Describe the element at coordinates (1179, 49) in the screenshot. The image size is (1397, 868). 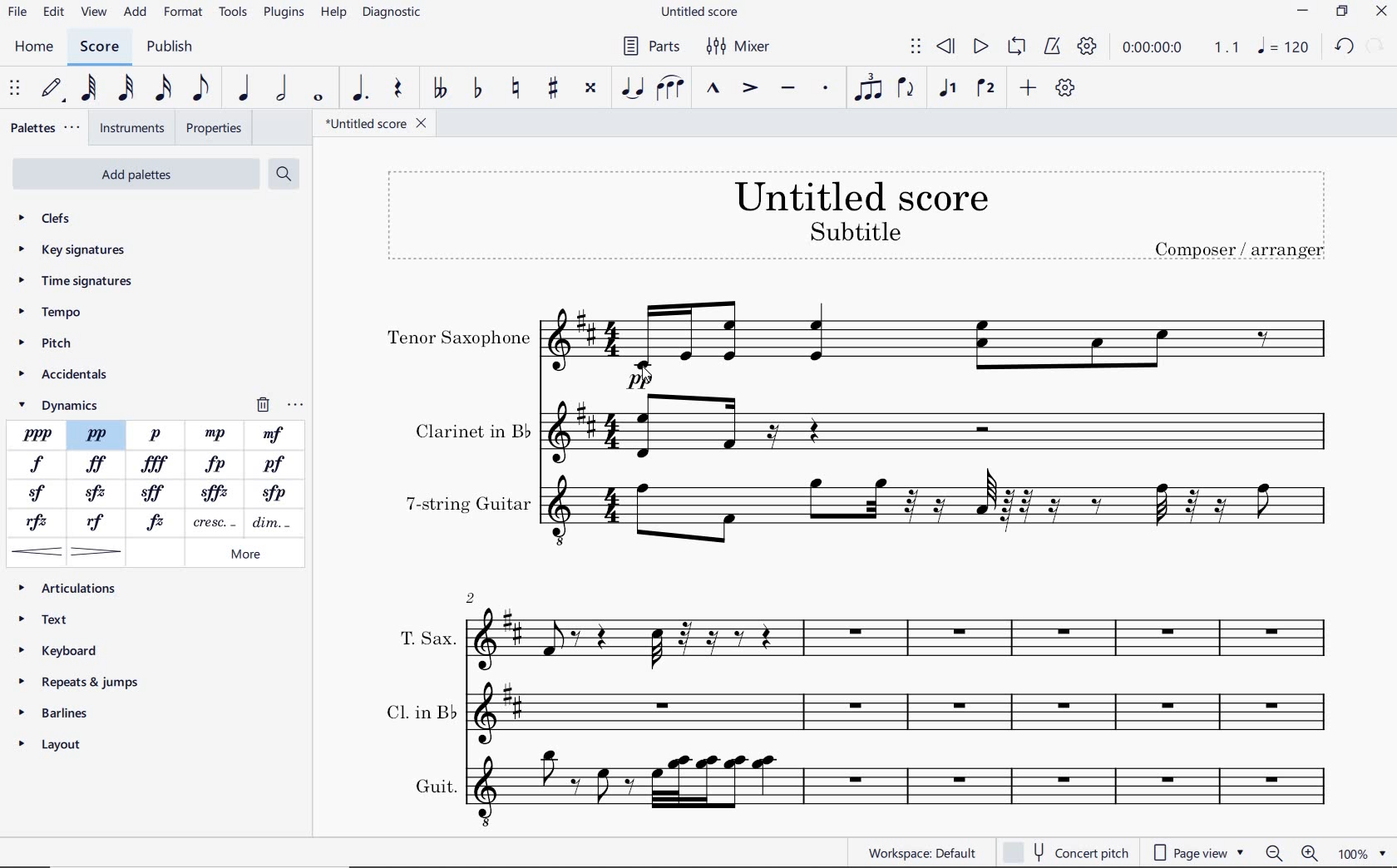
I see `PLAY TIME` at that location.